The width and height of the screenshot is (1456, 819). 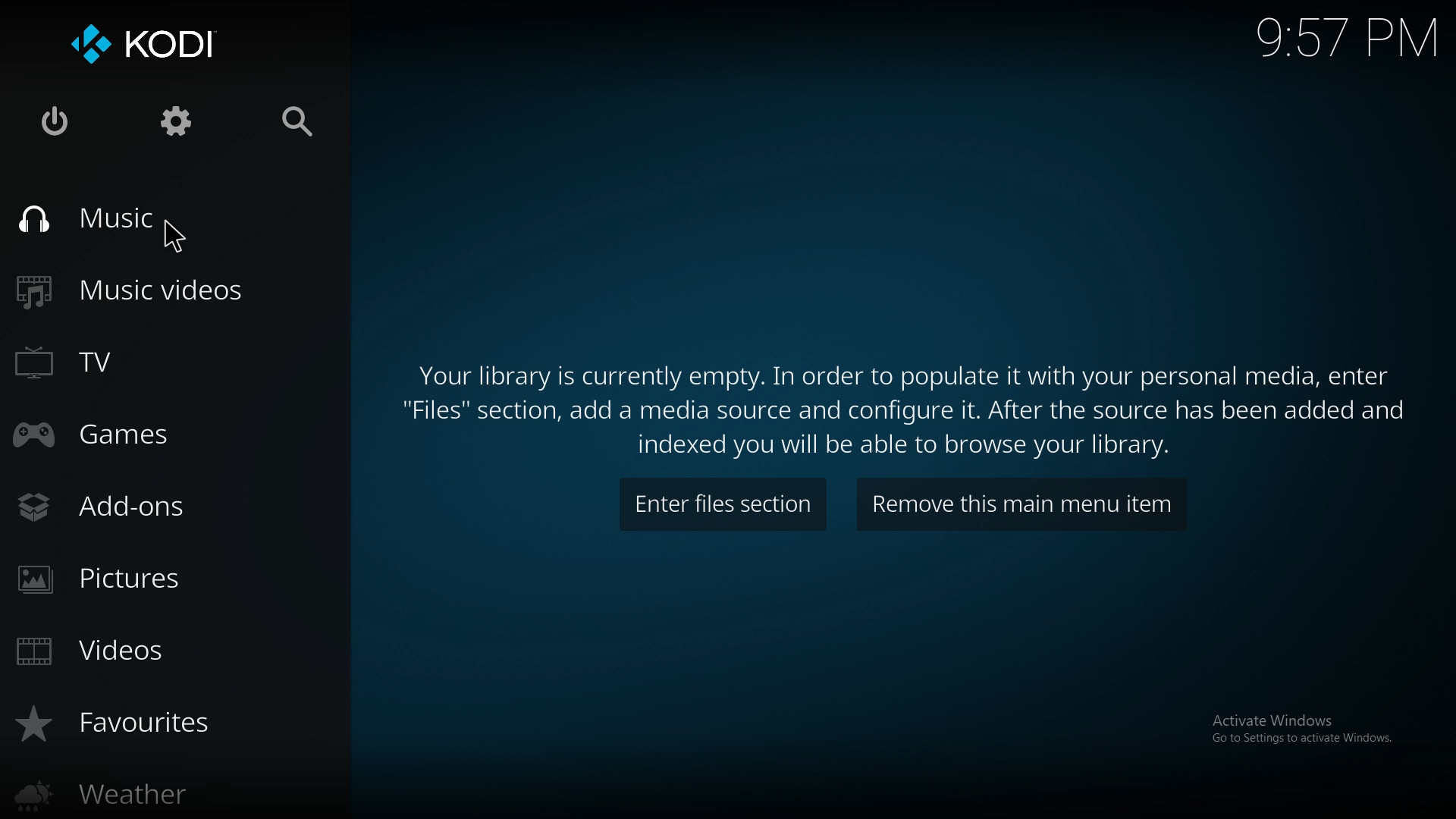 What do you see at coordinates (149, 293) in the screenshot?
I see `music videos` at bounding box center [149, 293].